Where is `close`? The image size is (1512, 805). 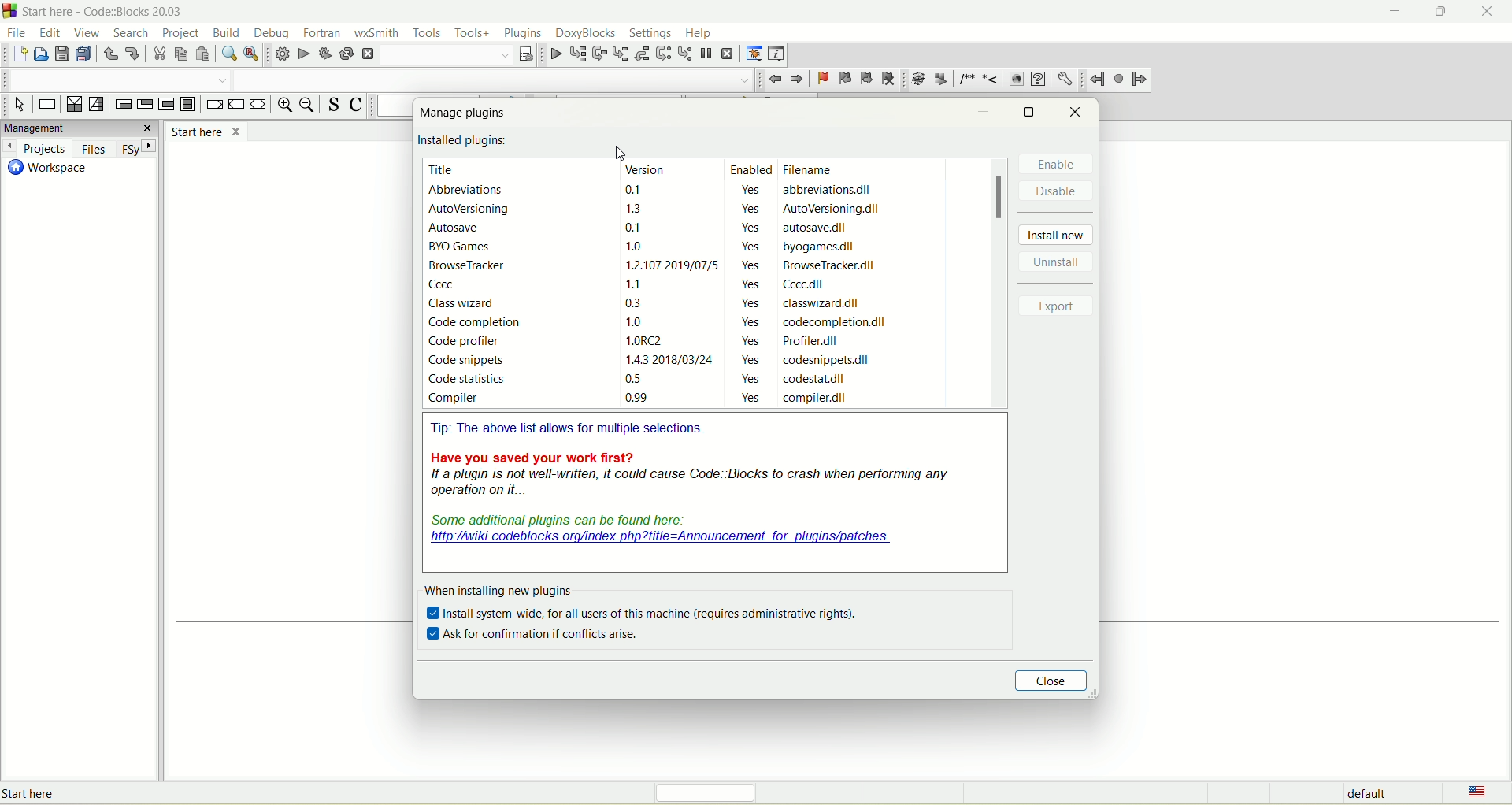 close is located at coordinates (1055, 681).